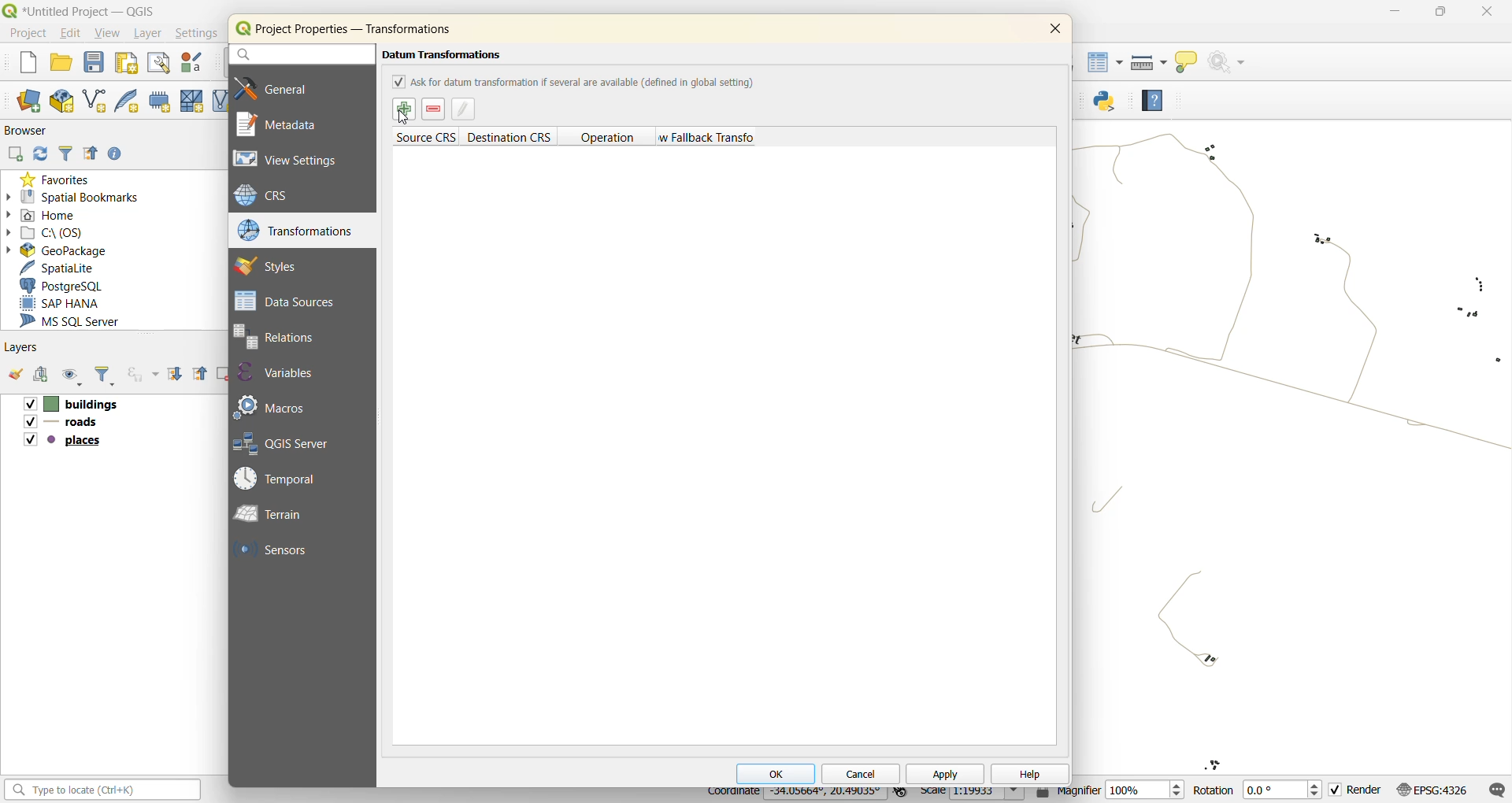 This screenshot has width=1512, height=803. I want to click on select datum transformation, so click(405, 109).